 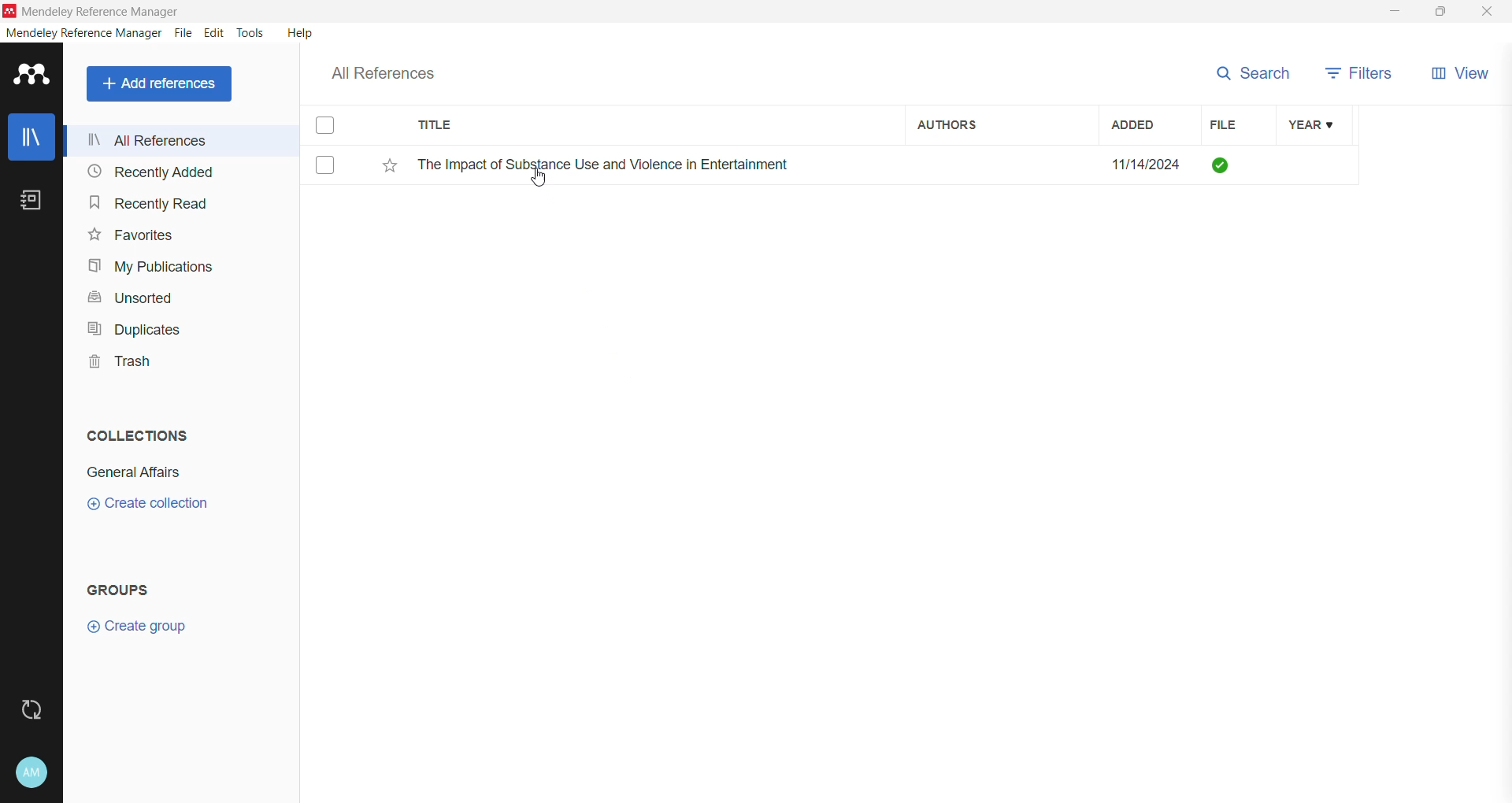 What do you see at coordinates (115, 364) in the screenshot?
I see `Trash` at bounding box center [115, 364].